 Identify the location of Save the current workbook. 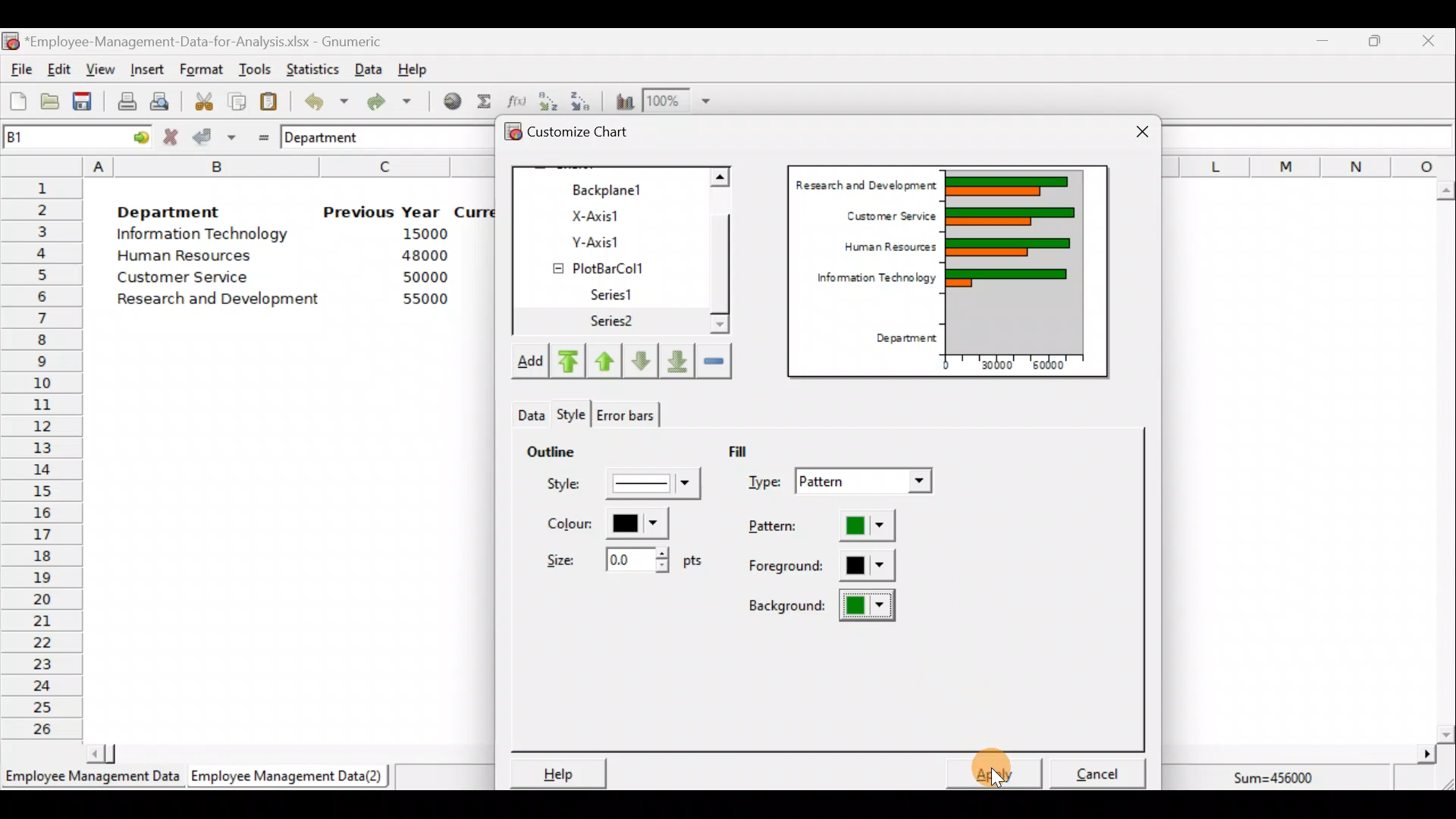
(87, 104).